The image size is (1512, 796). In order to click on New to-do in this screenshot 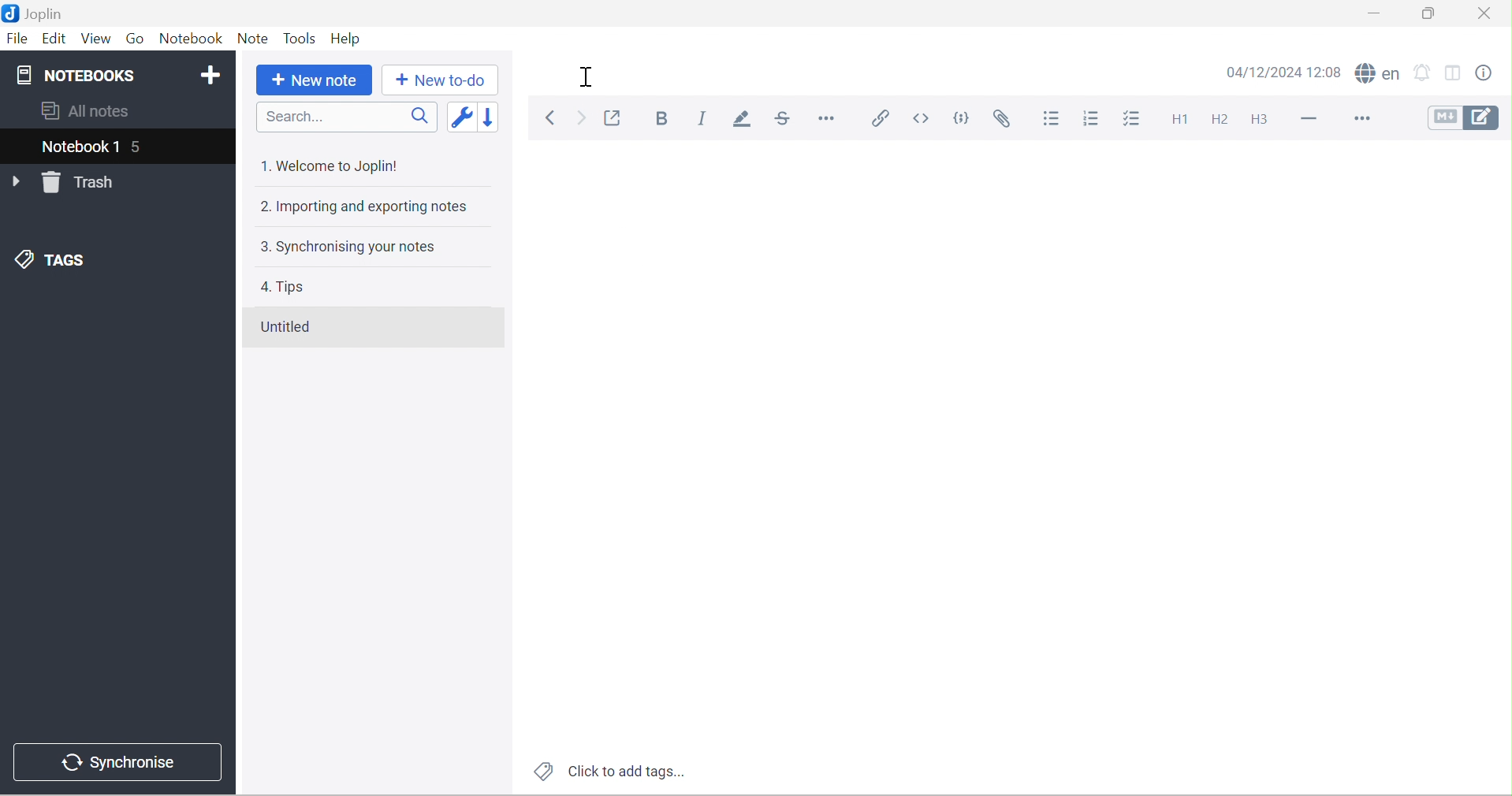, I will do `click(440, 80)`.